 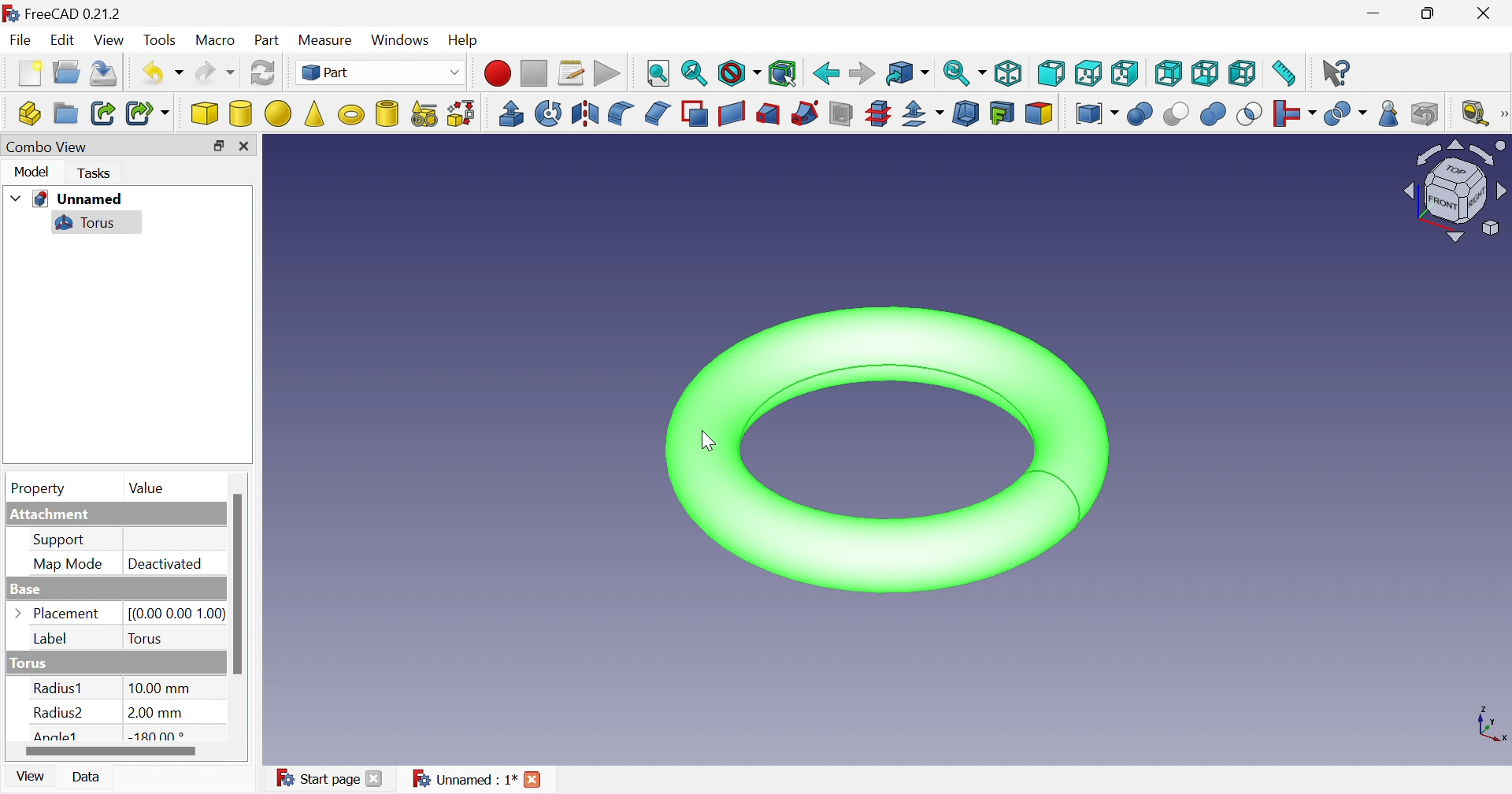 I want to click on Execute macro, so click(x=607, y=73).